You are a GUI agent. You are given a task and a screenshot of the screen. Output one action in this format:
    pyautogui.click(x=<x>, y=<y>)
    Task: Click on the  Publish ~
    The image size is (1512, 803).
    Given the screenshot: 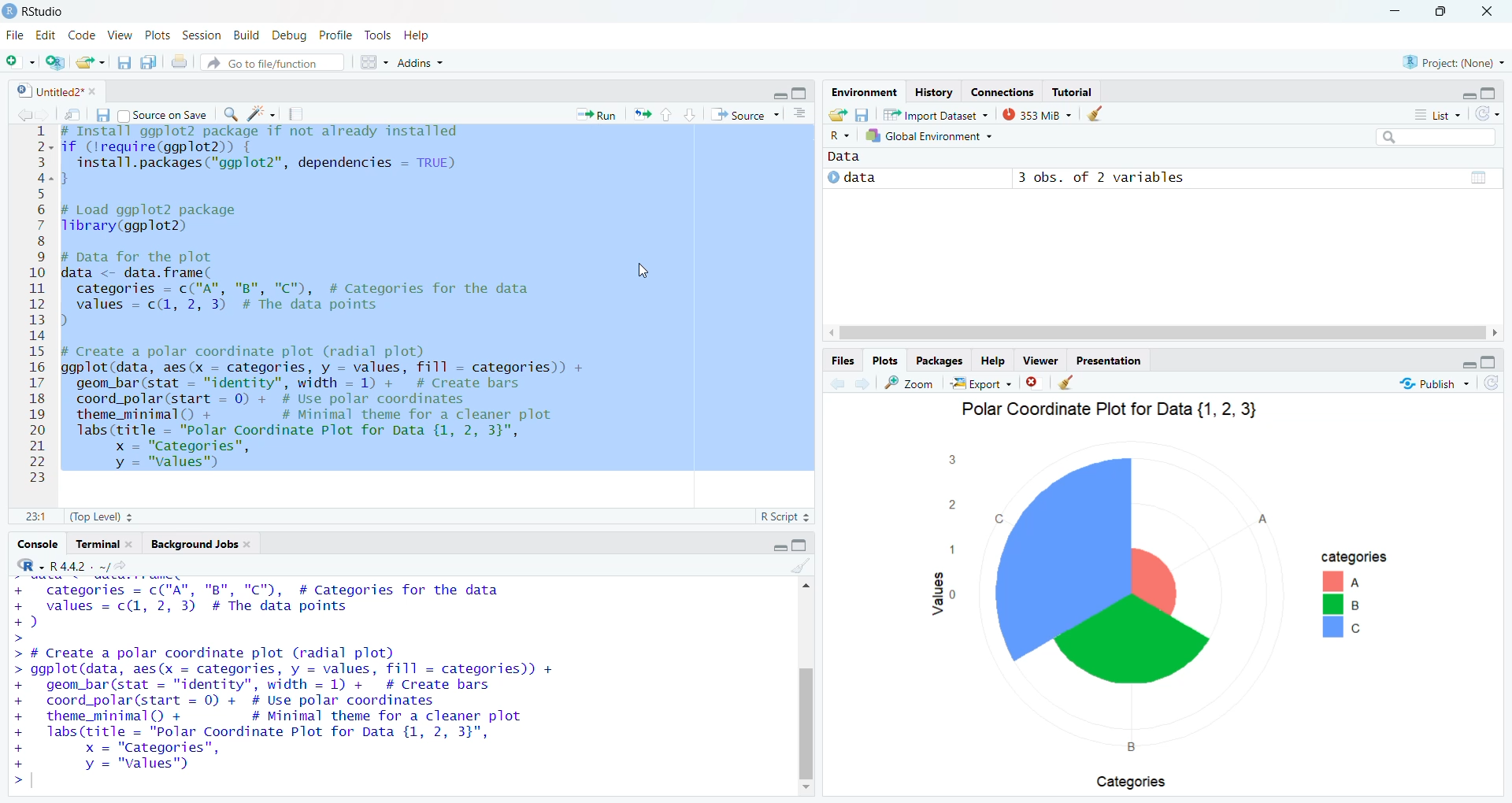 What is the action you would take?
    pyautogui.click(x=1432, y=384)
    